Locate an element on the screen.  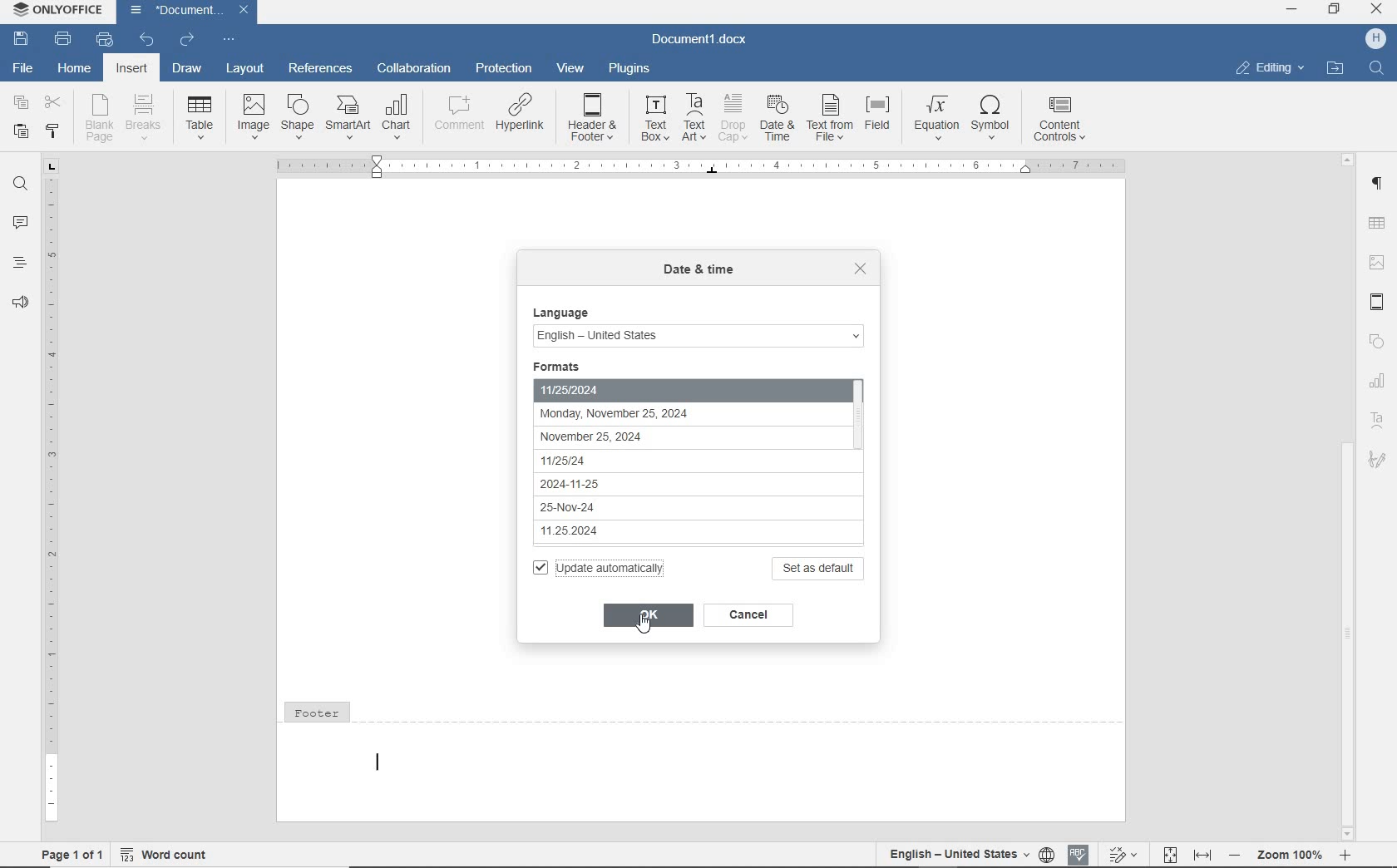
document name is located at coordinates (180, 11).